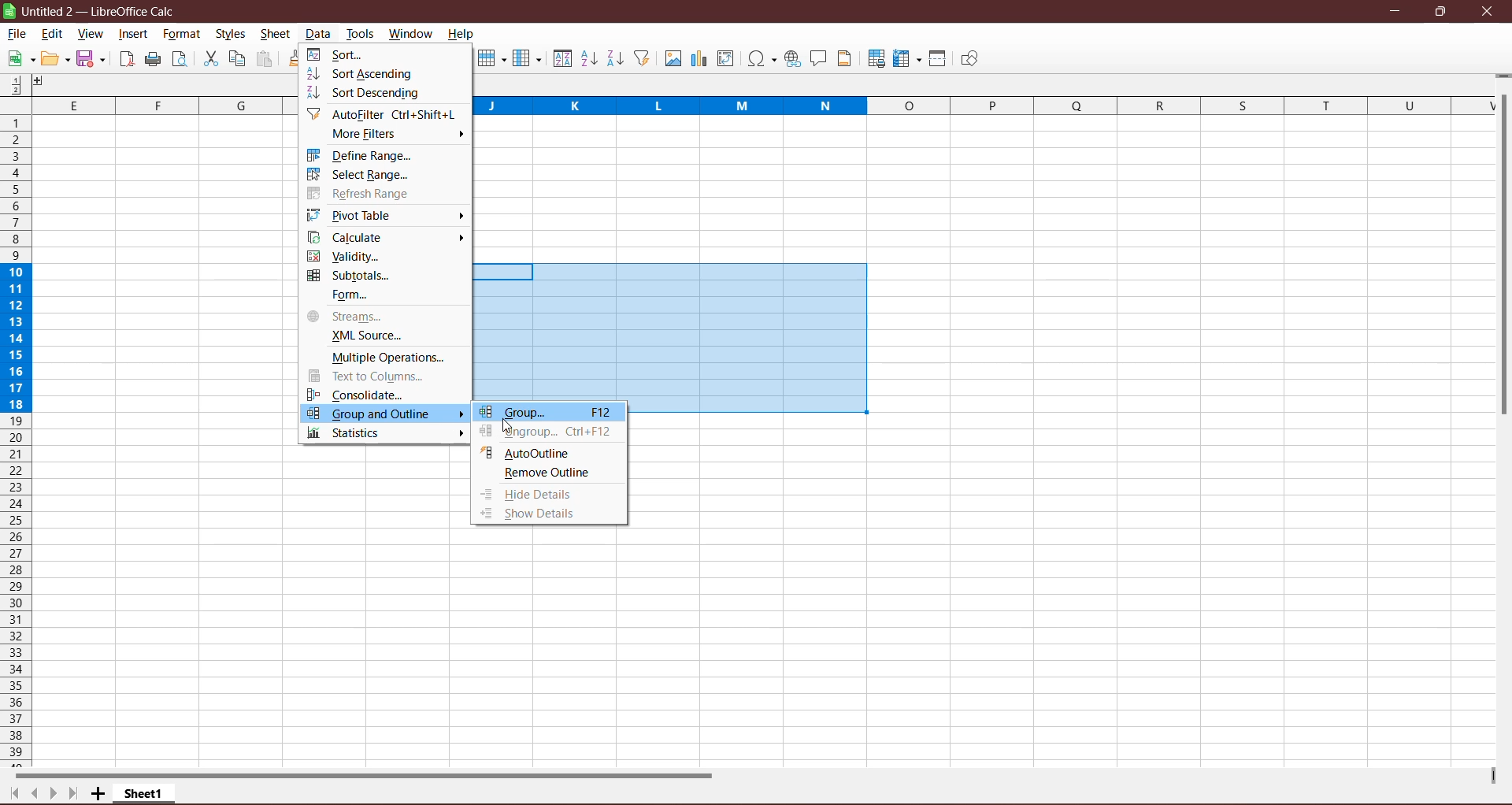 The image size is (1512, 805). What do you see at coordinates (182, 59) in the screenshot?
I see `Toggle Print Preview` at bounding box center [182, 59].